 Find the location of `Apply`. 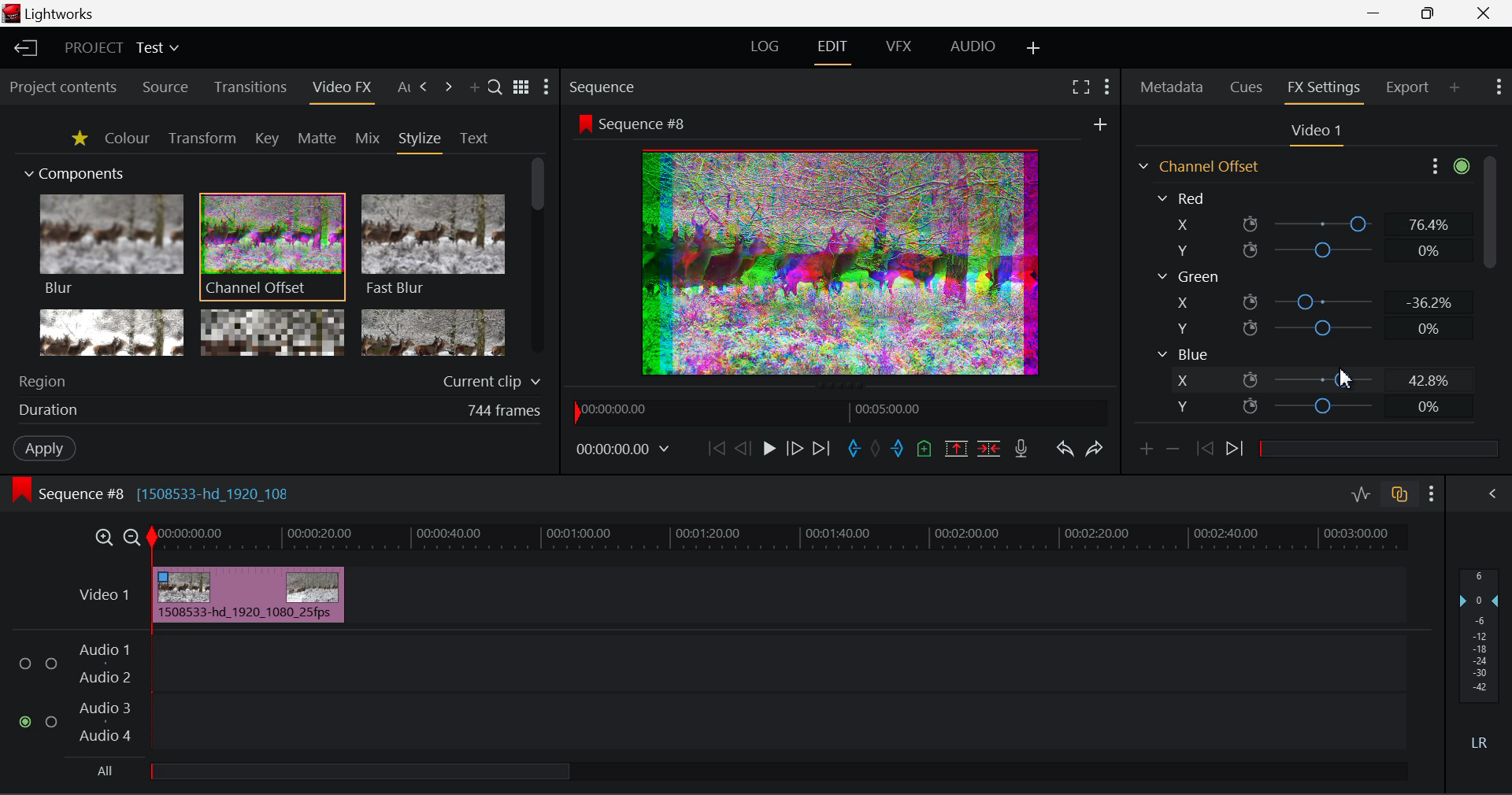

Apply is located at coordinates (46, 449).